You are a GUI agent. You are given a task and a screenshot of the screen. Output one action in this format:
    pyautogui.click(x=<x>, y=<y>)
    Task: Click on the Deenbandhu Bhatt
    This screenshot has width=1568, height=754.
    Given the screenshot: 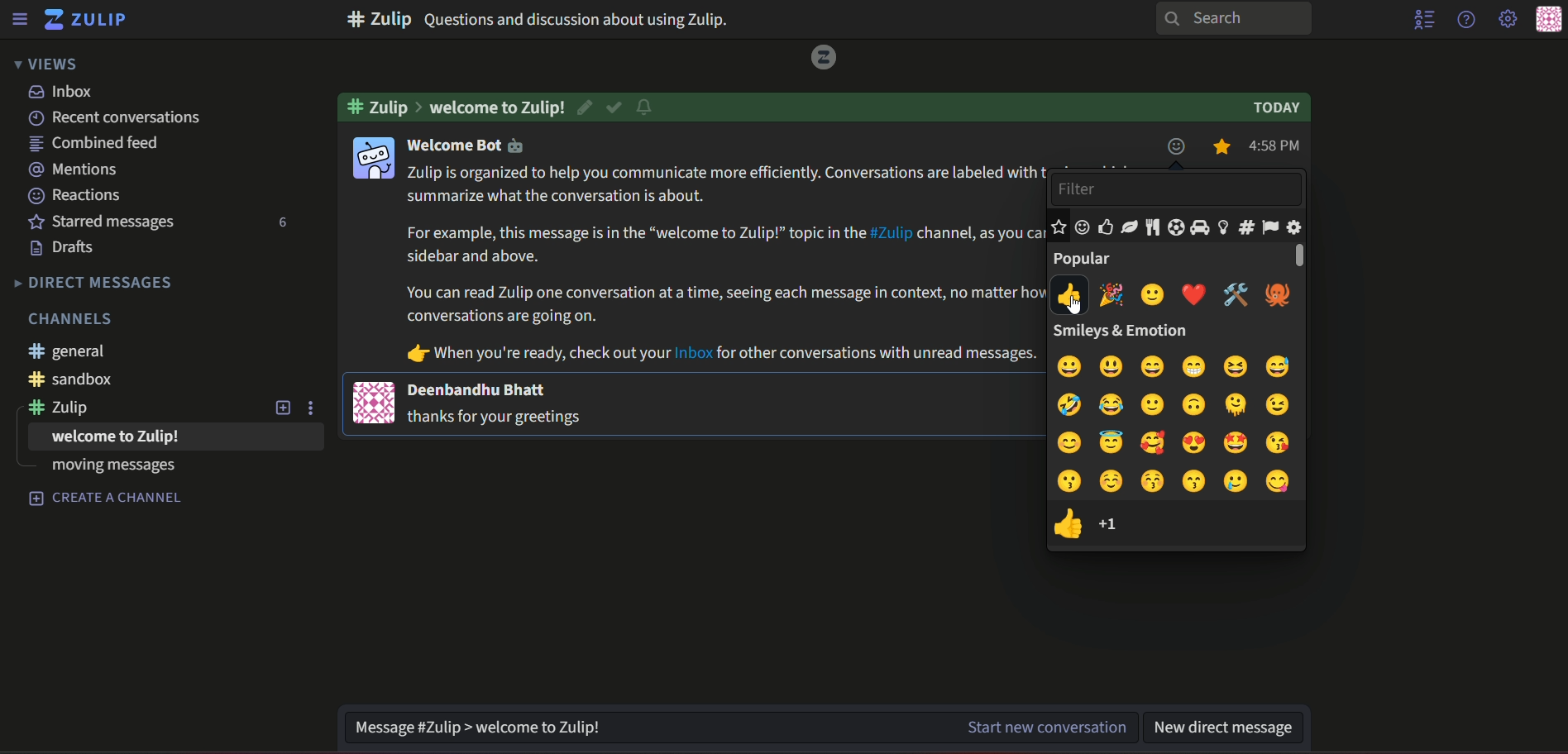 What is the action you would take?
    pyautogui.click(x=480, y=389)
    